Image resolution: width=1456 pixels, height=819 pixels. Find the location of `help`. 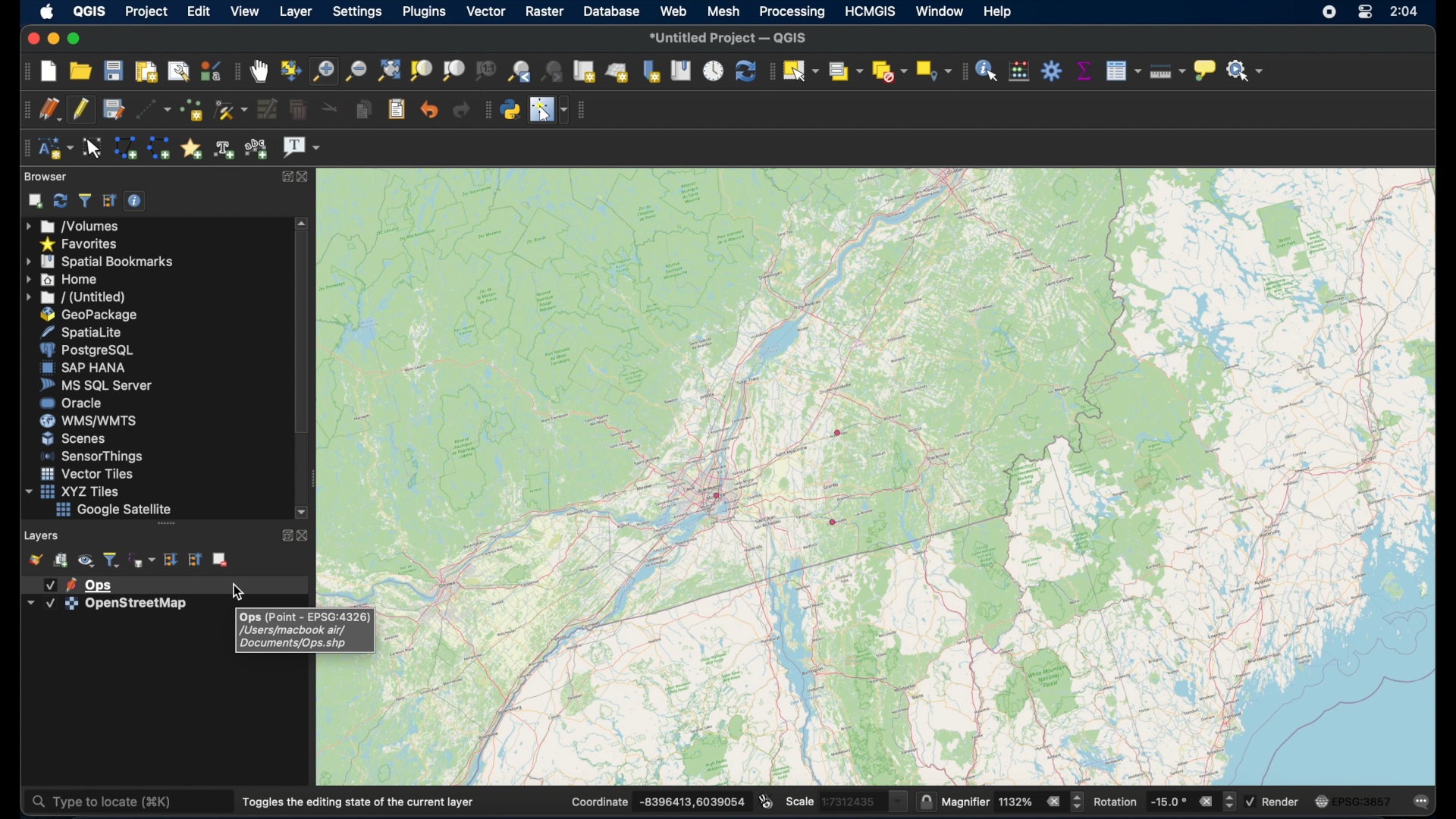

help is located at coordinates (997, 13).